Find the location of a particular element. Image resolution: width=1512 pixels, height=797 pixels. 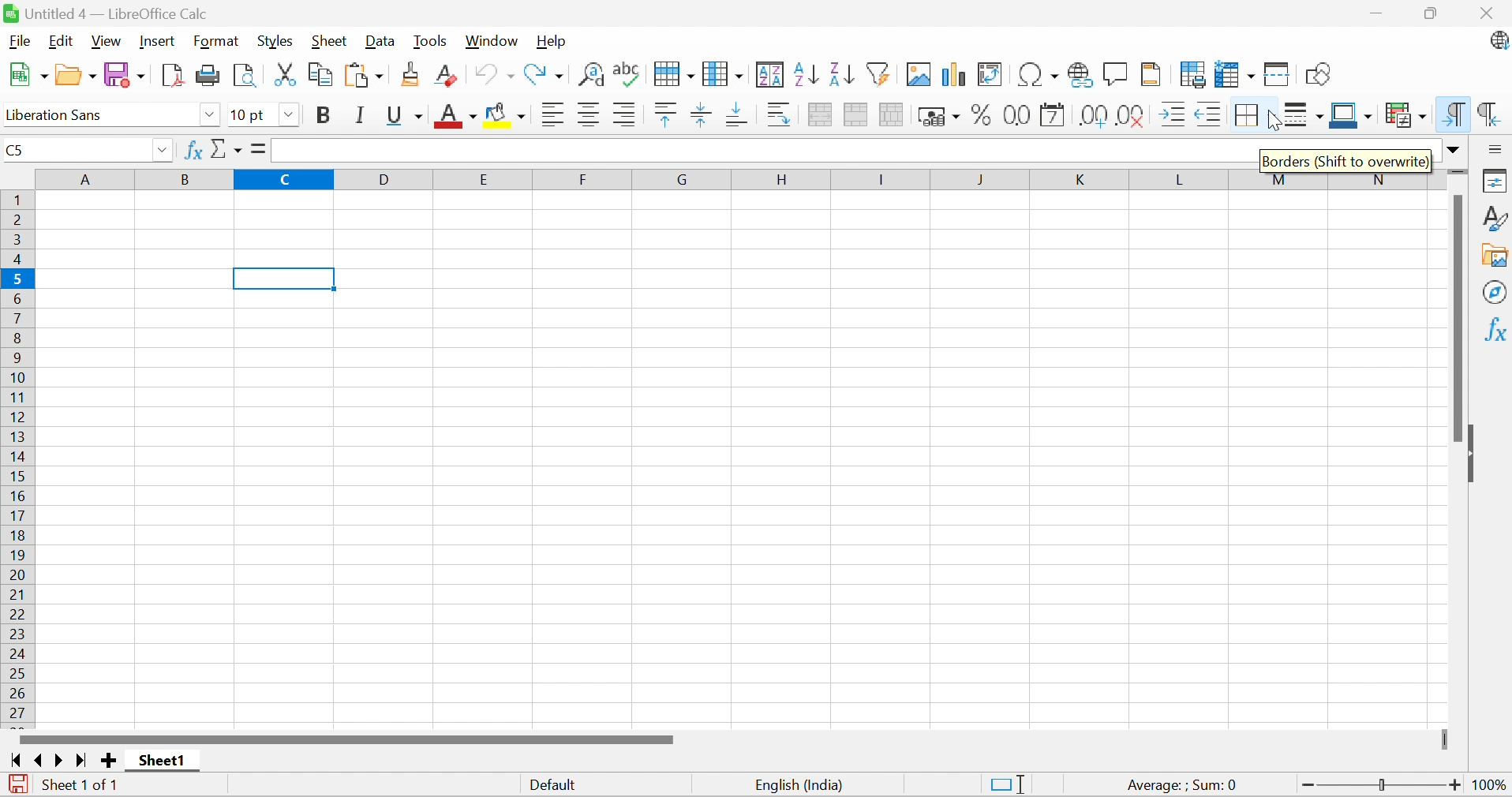

Insert or edit pivot table is located at coordinates (991, 75).